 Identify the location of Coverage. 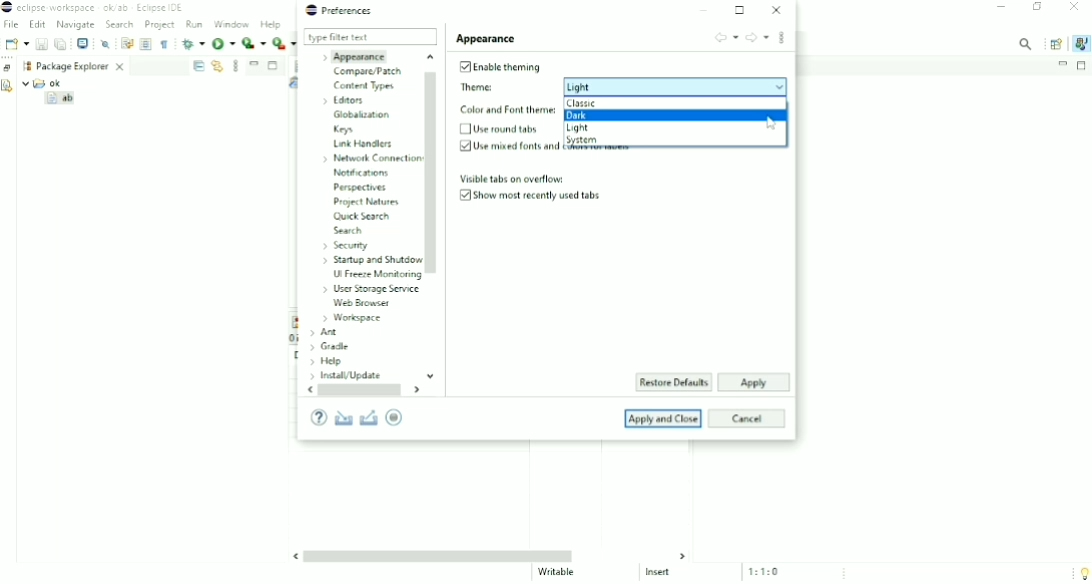
(254, 43).